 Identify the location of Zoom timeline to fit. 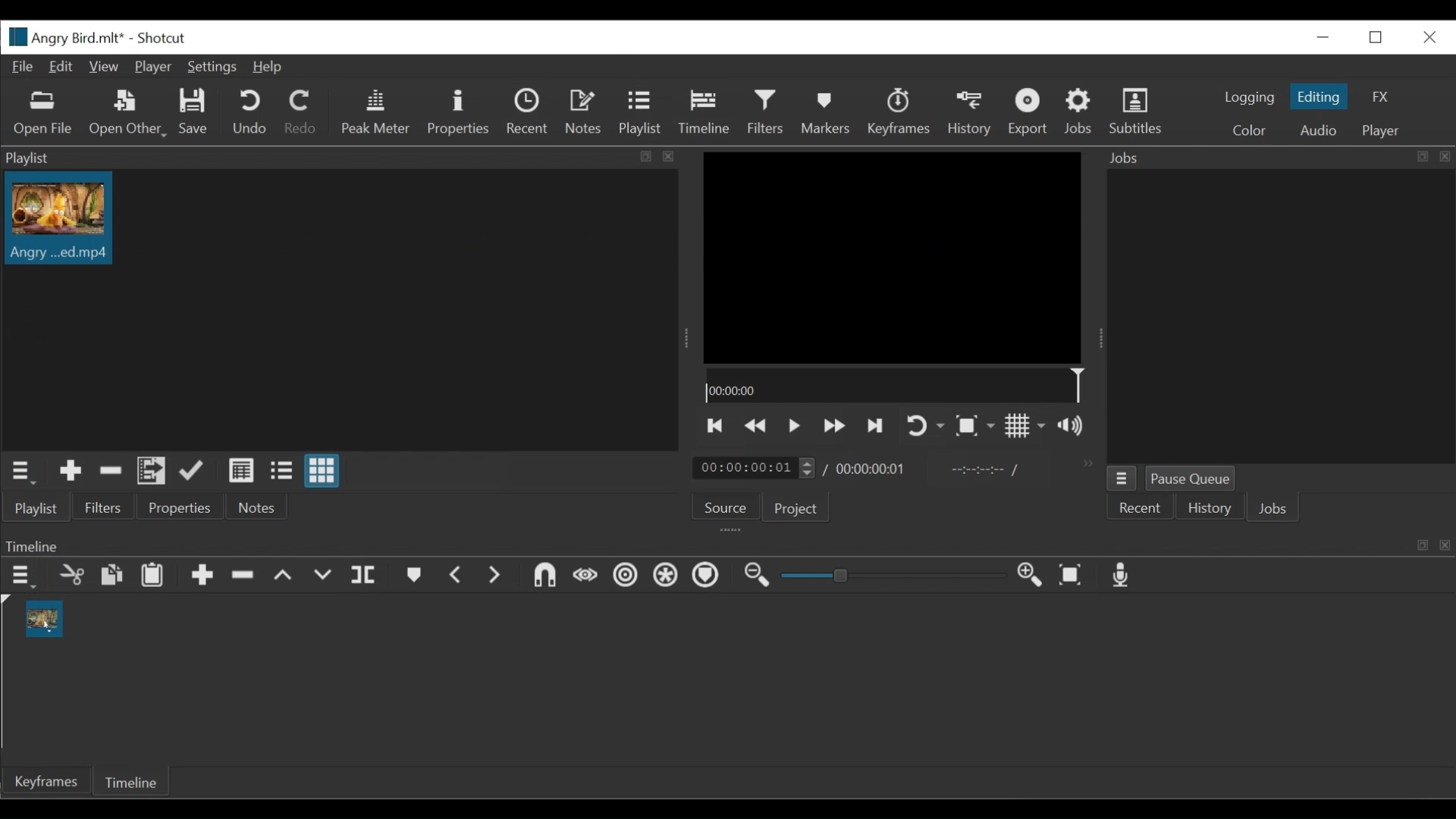
(1072, 576).